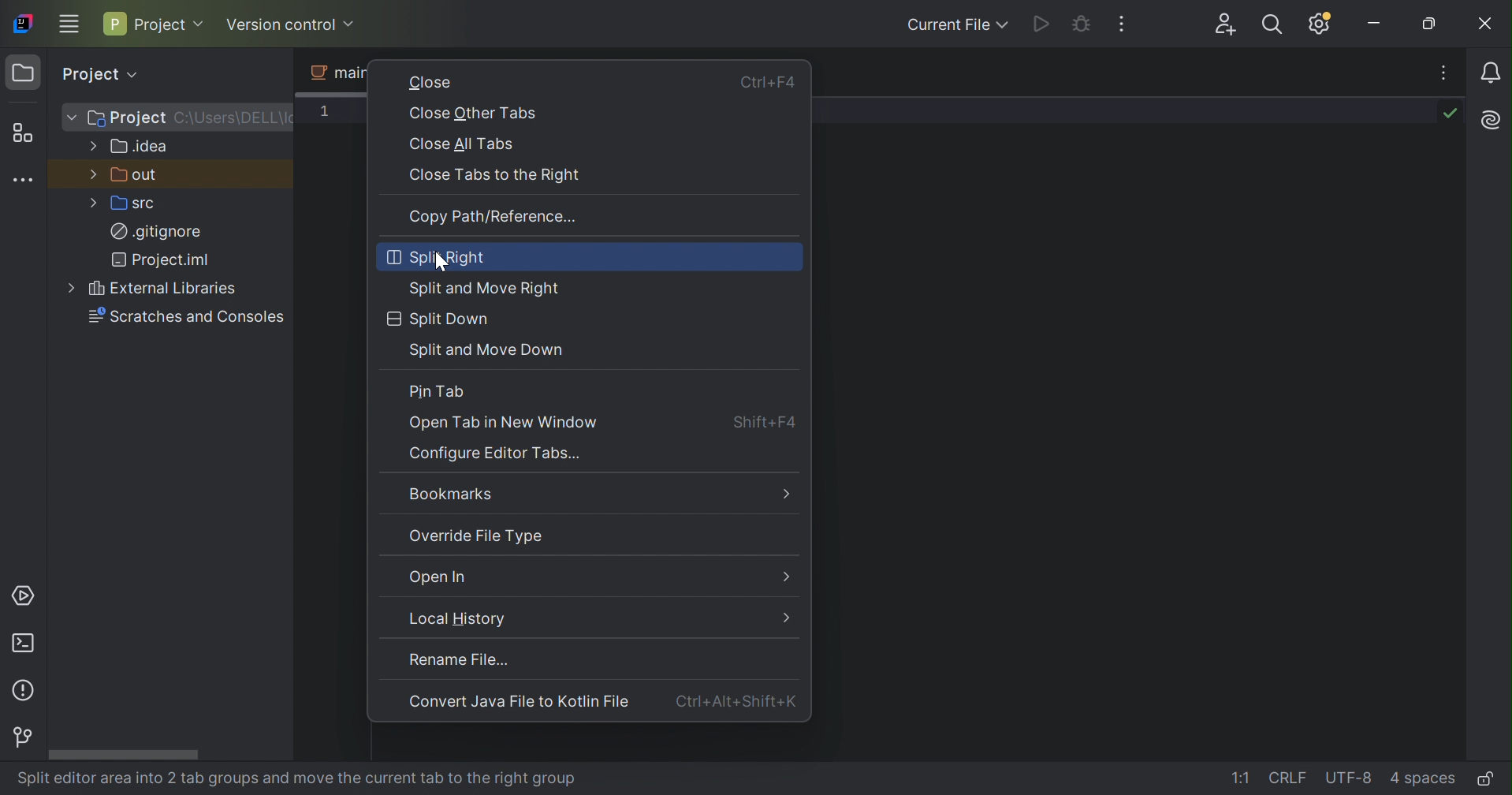 The image size is (1512, 795). What do you see at coordinates (489, 352) in the screenshot?
I see `Split and Move down` at bounding box center [489, 352].